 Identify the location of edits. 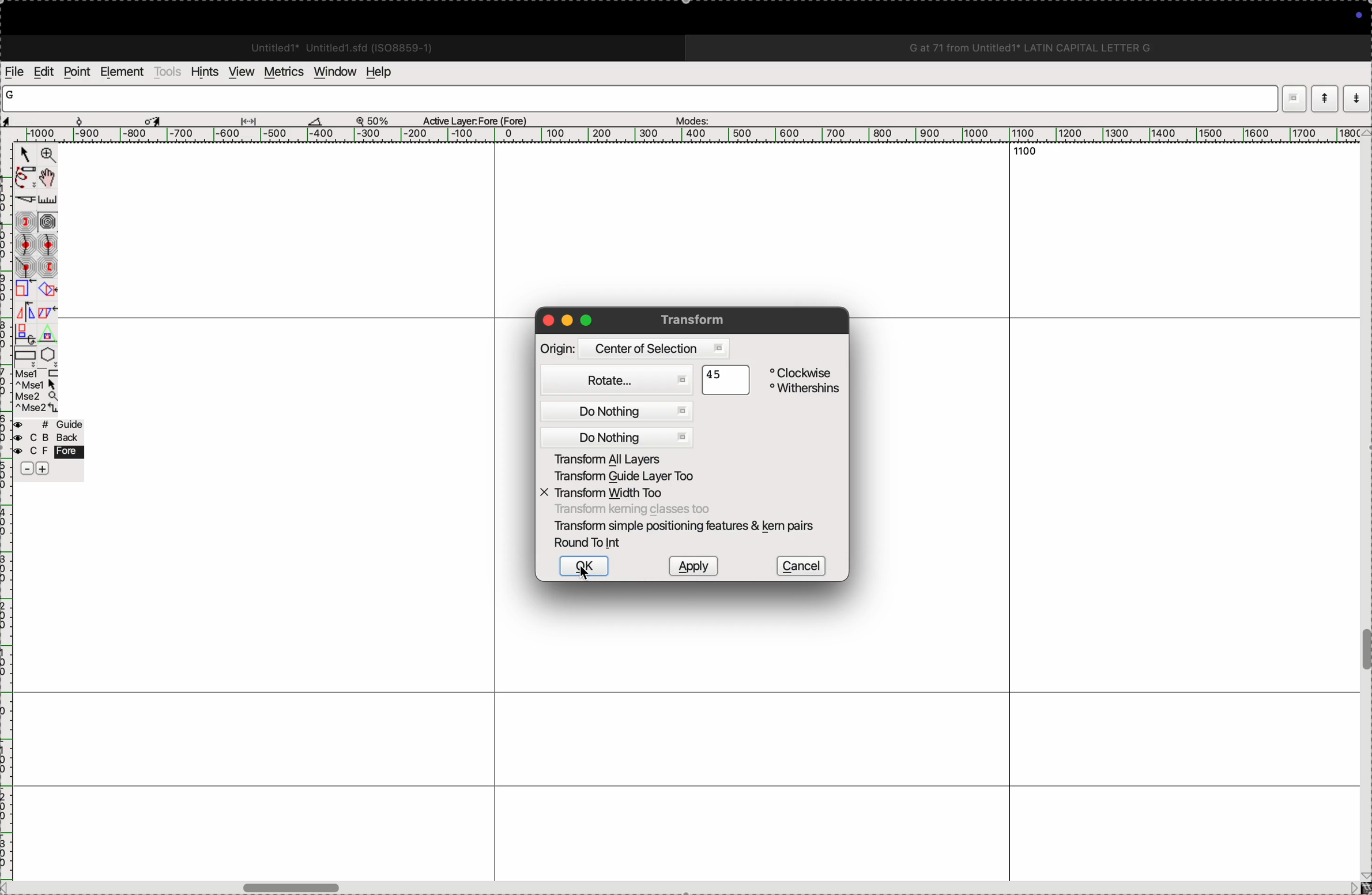
(44, 73).